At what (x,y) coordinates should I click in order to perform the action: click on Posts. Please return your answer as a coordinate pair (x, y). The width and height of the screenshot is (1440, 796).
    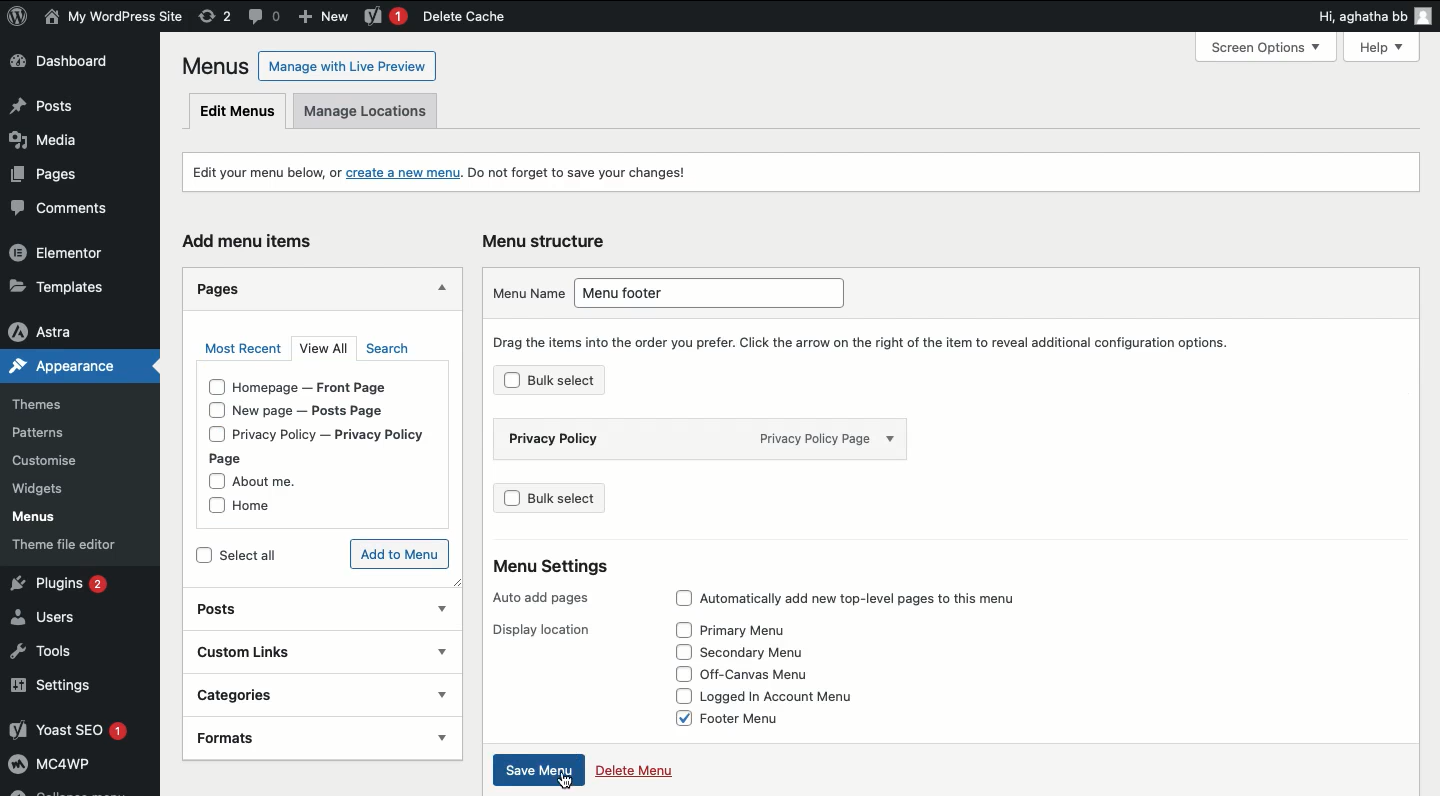
    Looking at the image, I should click on (74, 107).